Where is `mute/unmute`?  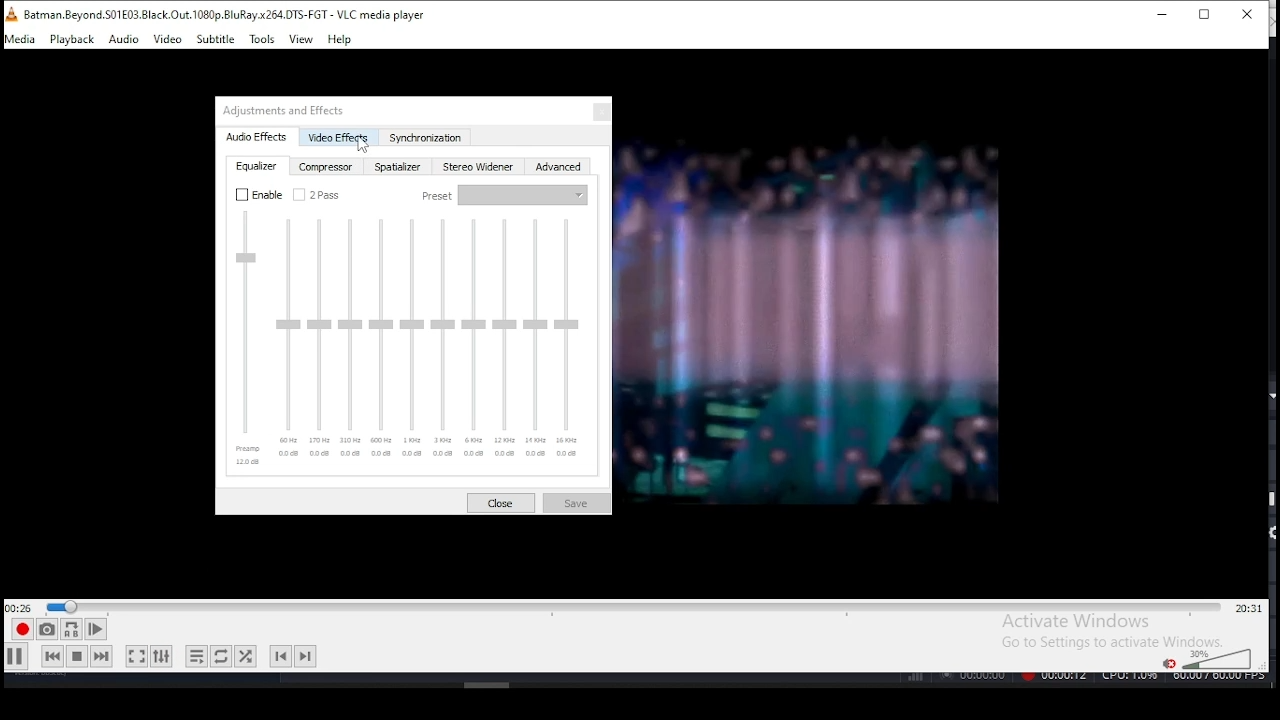 mute/unmute is located at coordinates (1166, 662).